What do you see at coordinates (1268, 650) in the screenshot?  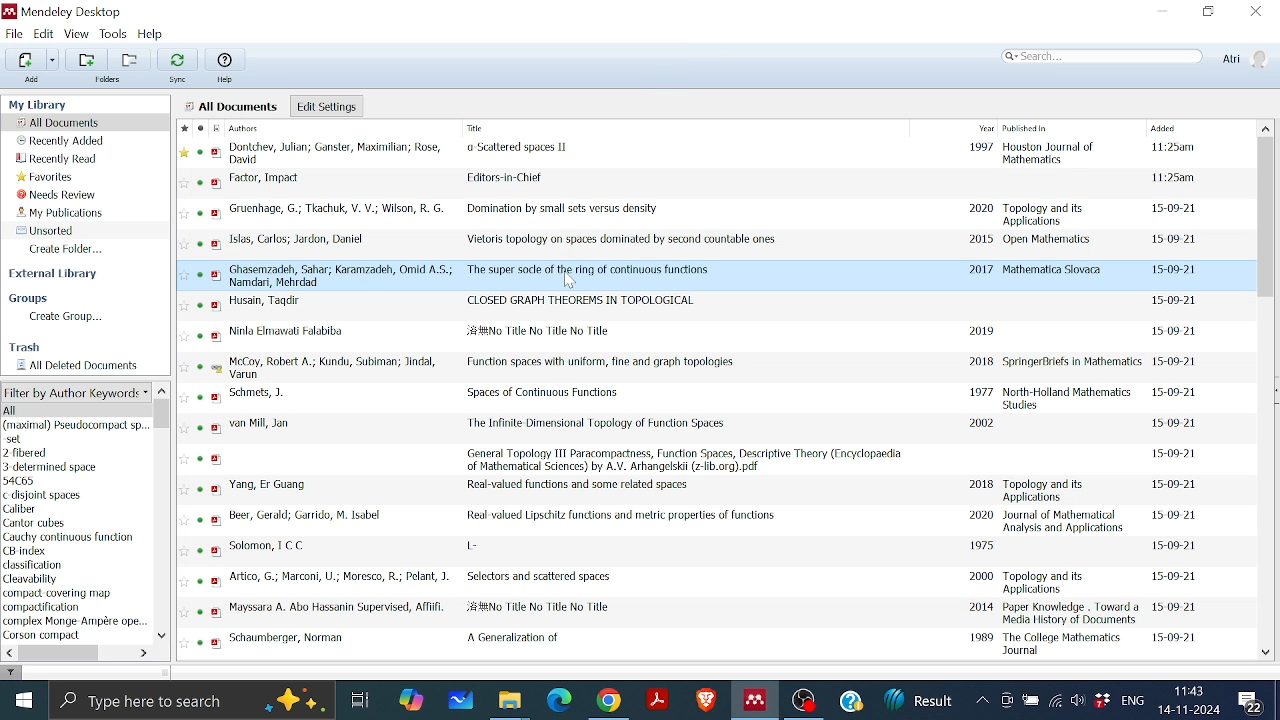 I see `Move down in all files` at bounding box center [1268, 650].